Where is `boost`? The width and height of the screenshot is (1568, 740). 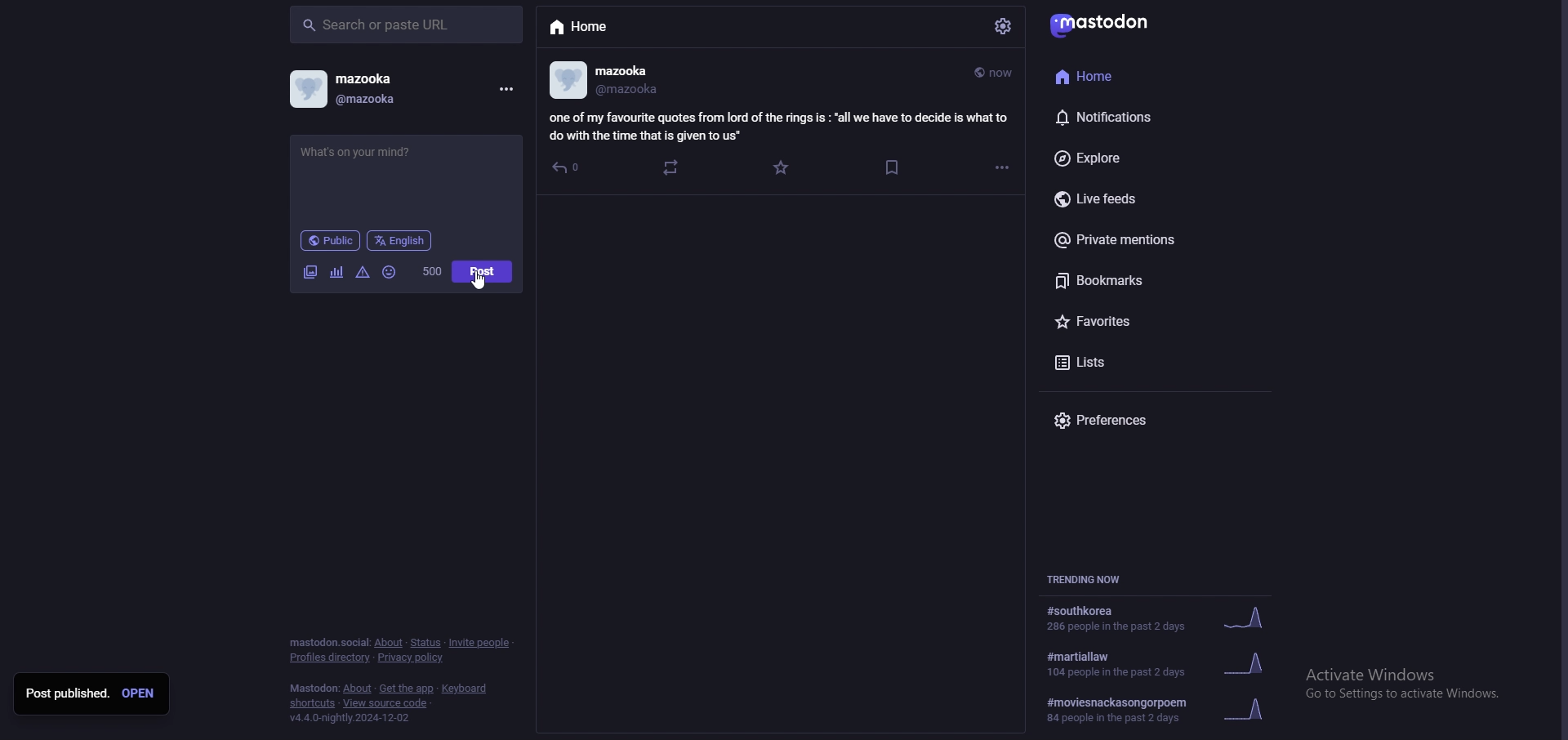
boost is located at coordinates (676, 167).